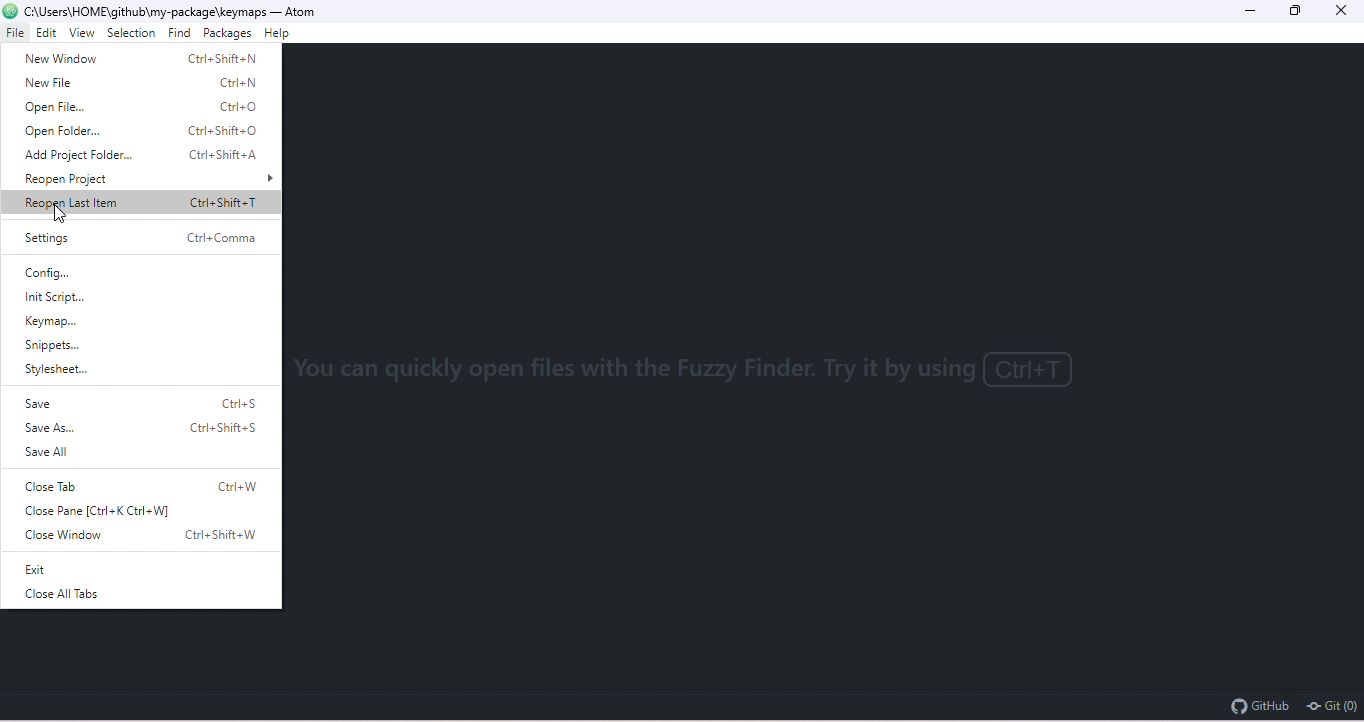 The image size is (1364, 722). What do you see at coordinates (230, 34) in the screenshot?
I see `packages` at bounding box center [230, 34].